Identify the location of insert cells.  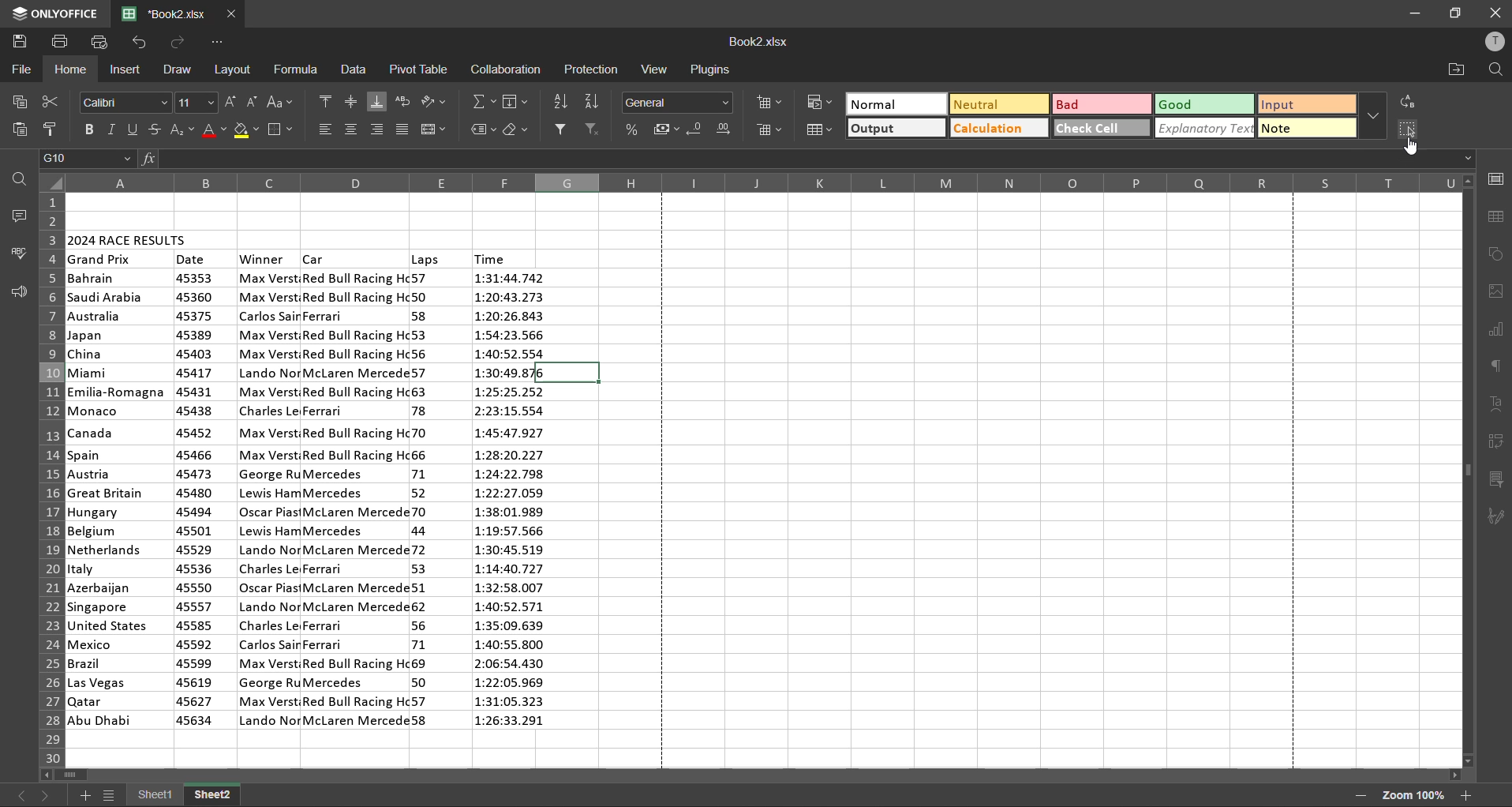
(768, 103).